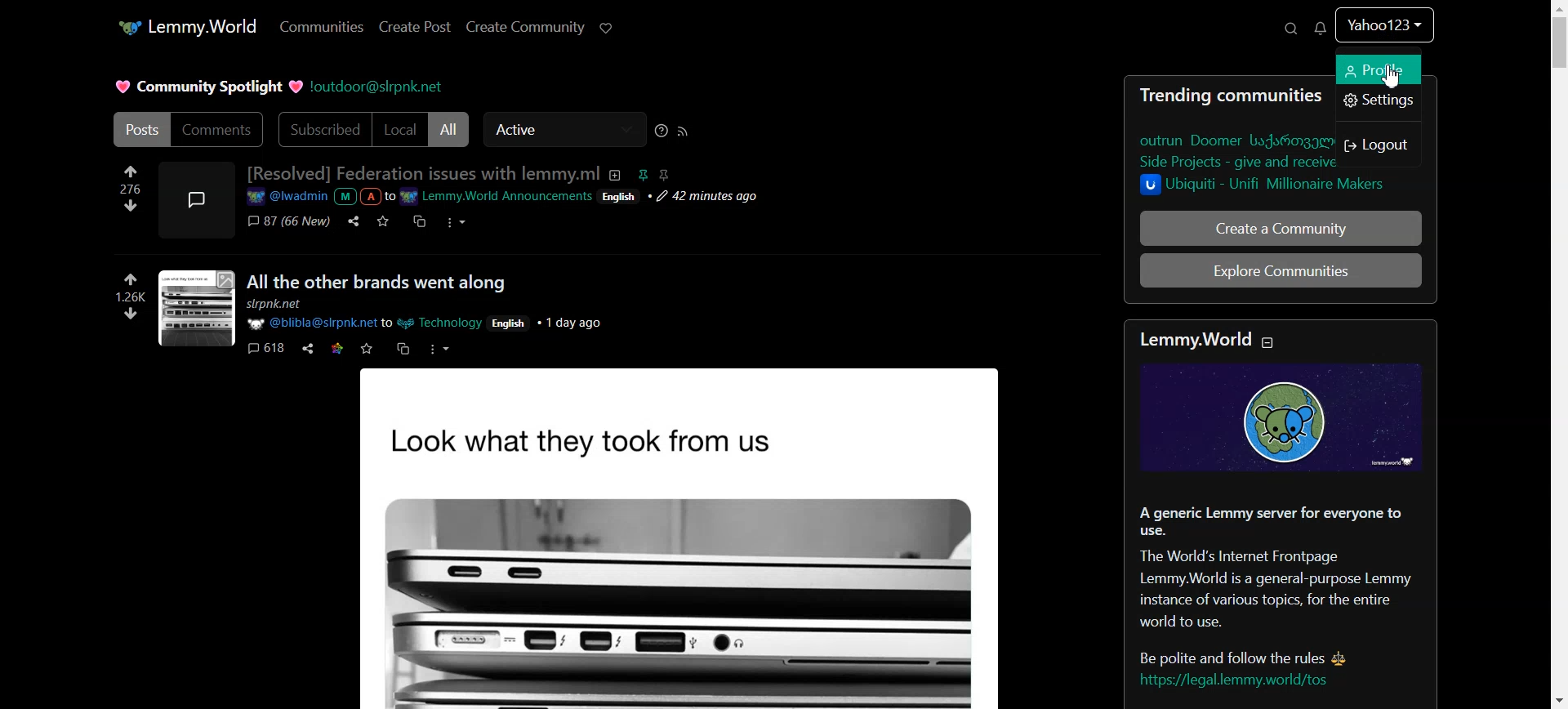  Describe the element at coordinates (416, 221) in the screenshot. I see `Copy` at that location.